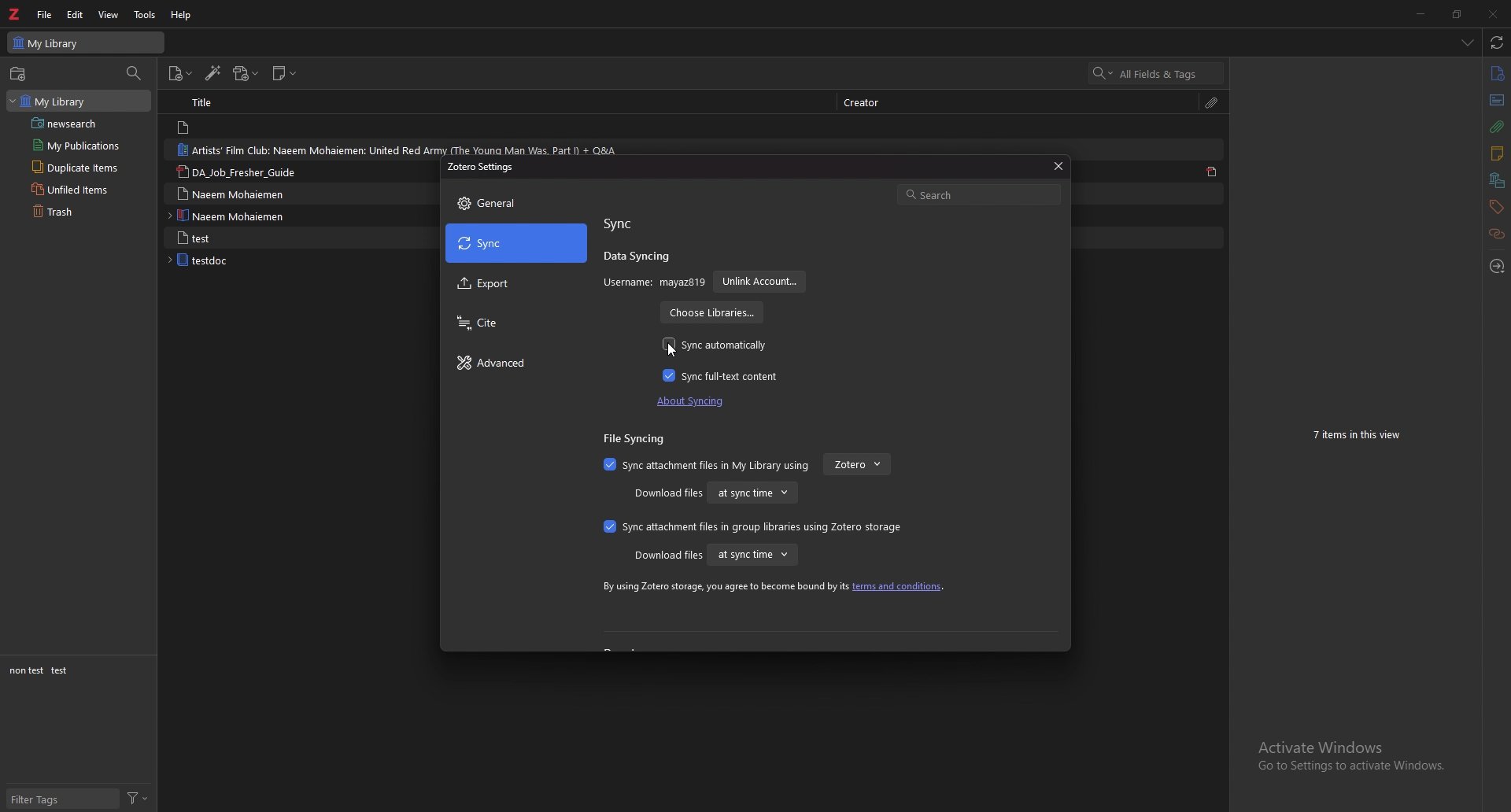 The image size is (1511, 812). Describe the element at coordinates (85, 212) in the screenshot. I see `trash` at that location.